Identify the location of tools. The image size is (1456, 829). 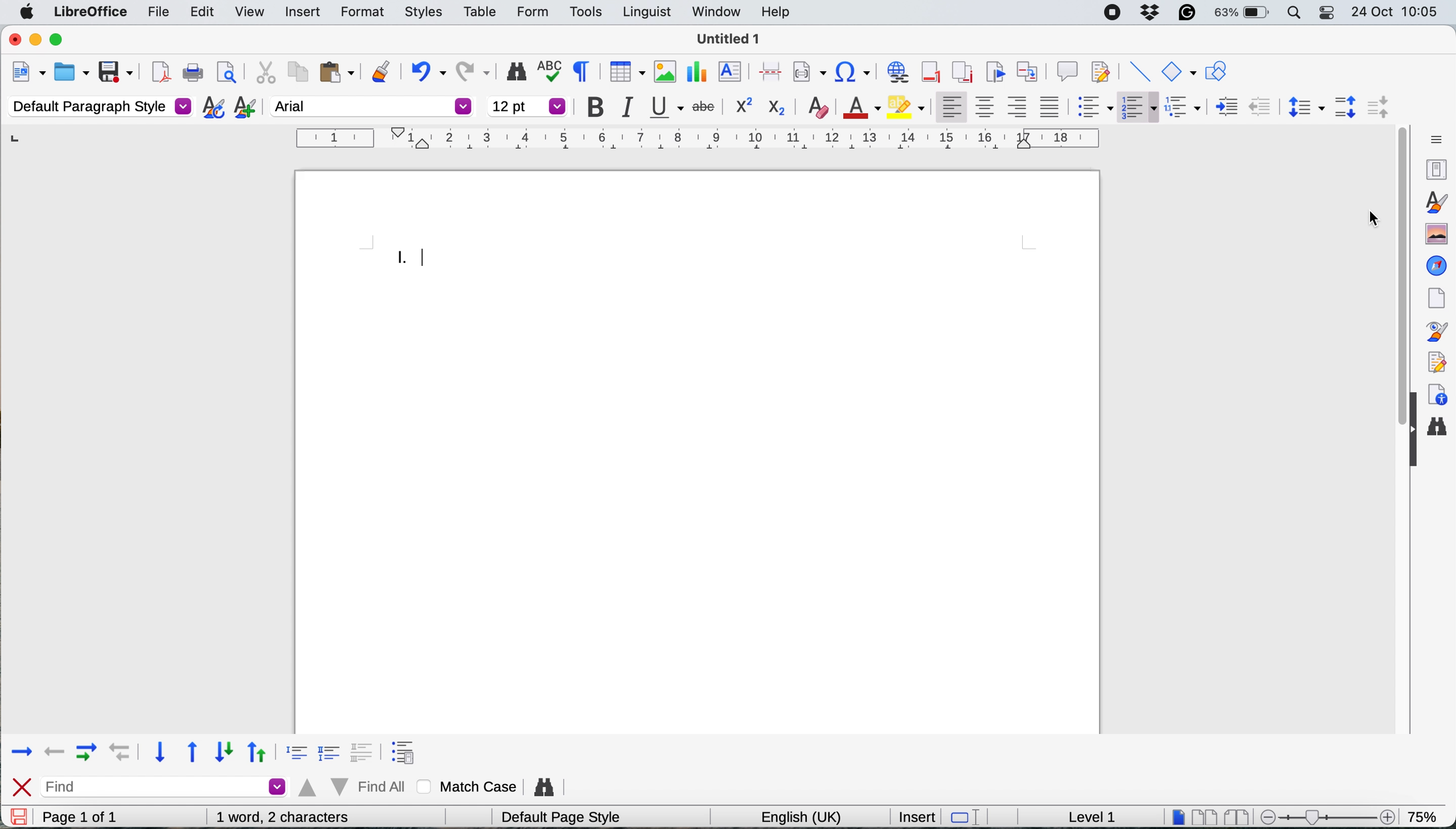
(585, 12).